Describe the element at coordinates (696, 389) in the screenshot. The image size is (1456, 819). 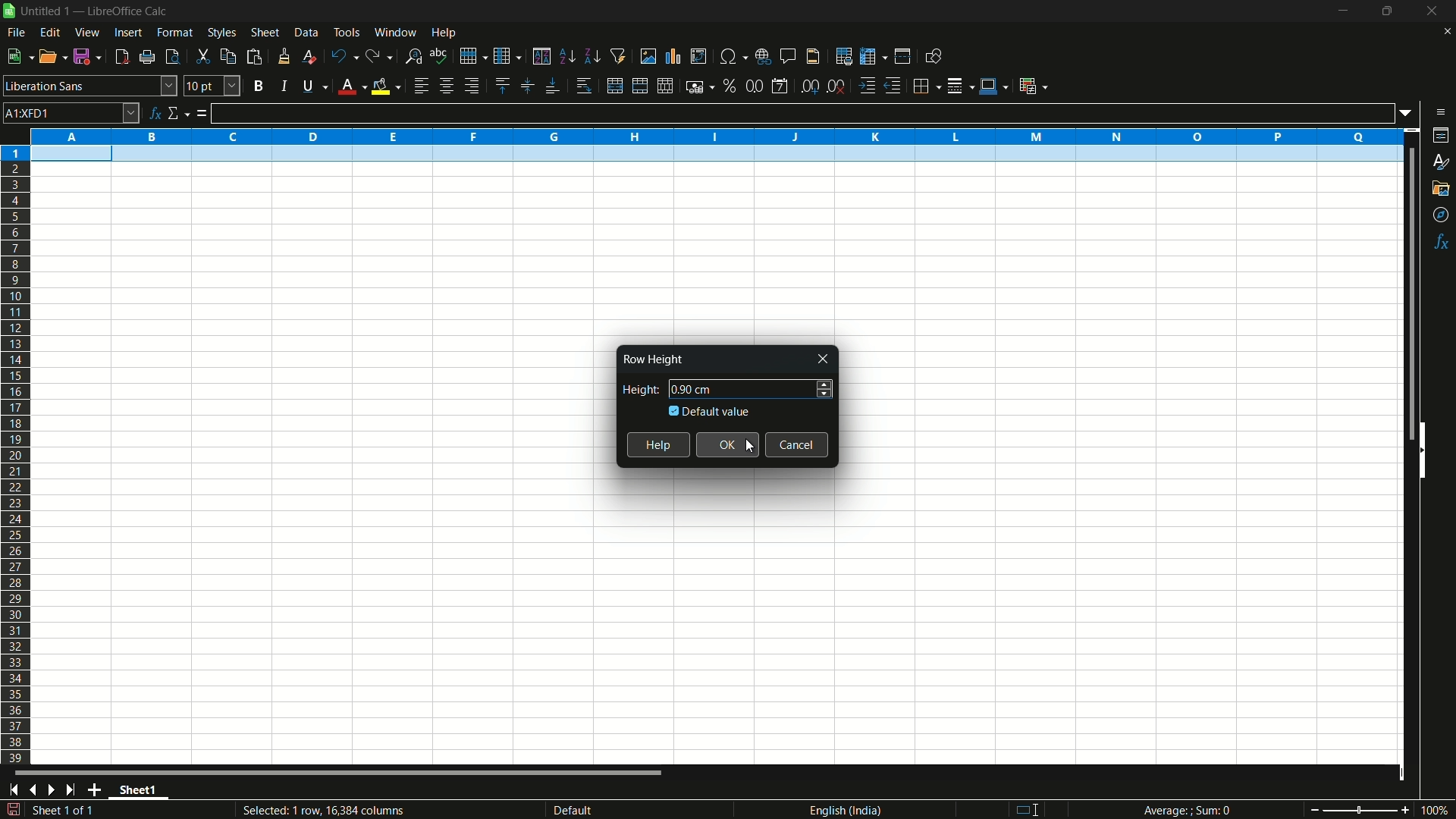
I see `height 0.90 cm` at that location.